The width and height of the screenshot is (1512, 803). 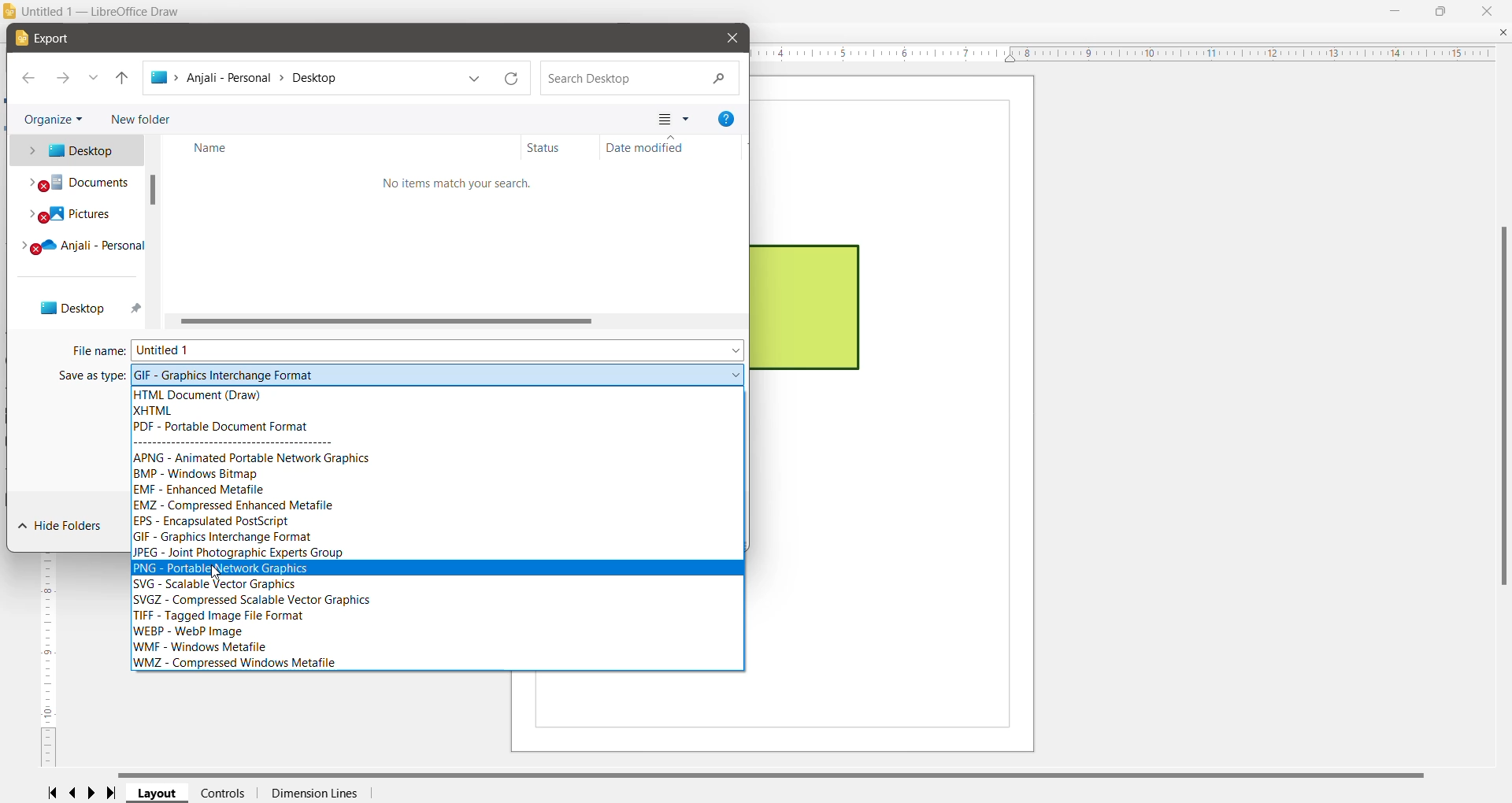 What do you see at coordinates (1489, 10) in the screenshot?
I see `Close` at bounding box center [1489, 10].